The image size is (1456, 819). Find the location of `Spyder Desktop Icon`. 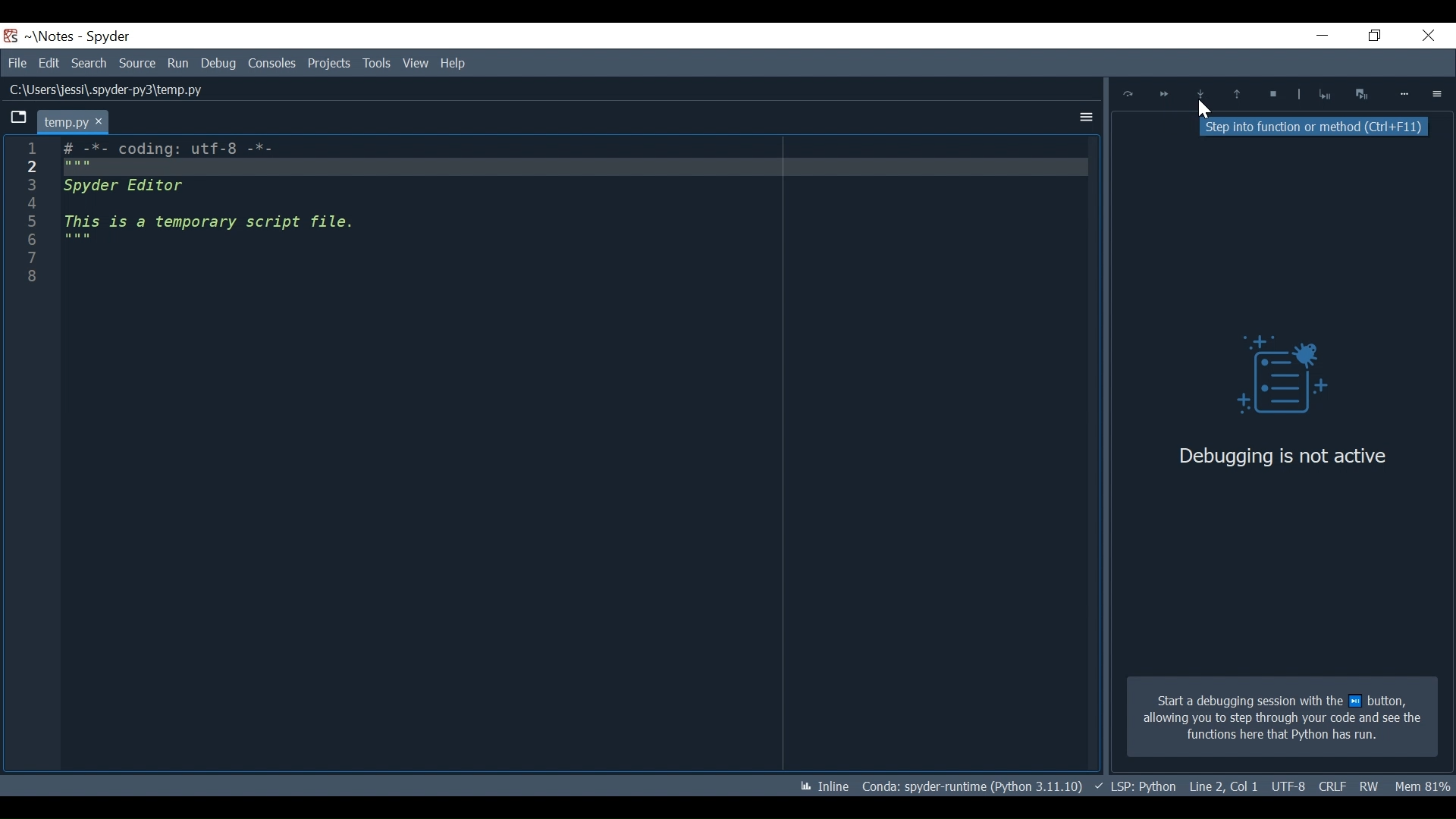

Spyder Desktop Icon is located at coordinates (11, 36).